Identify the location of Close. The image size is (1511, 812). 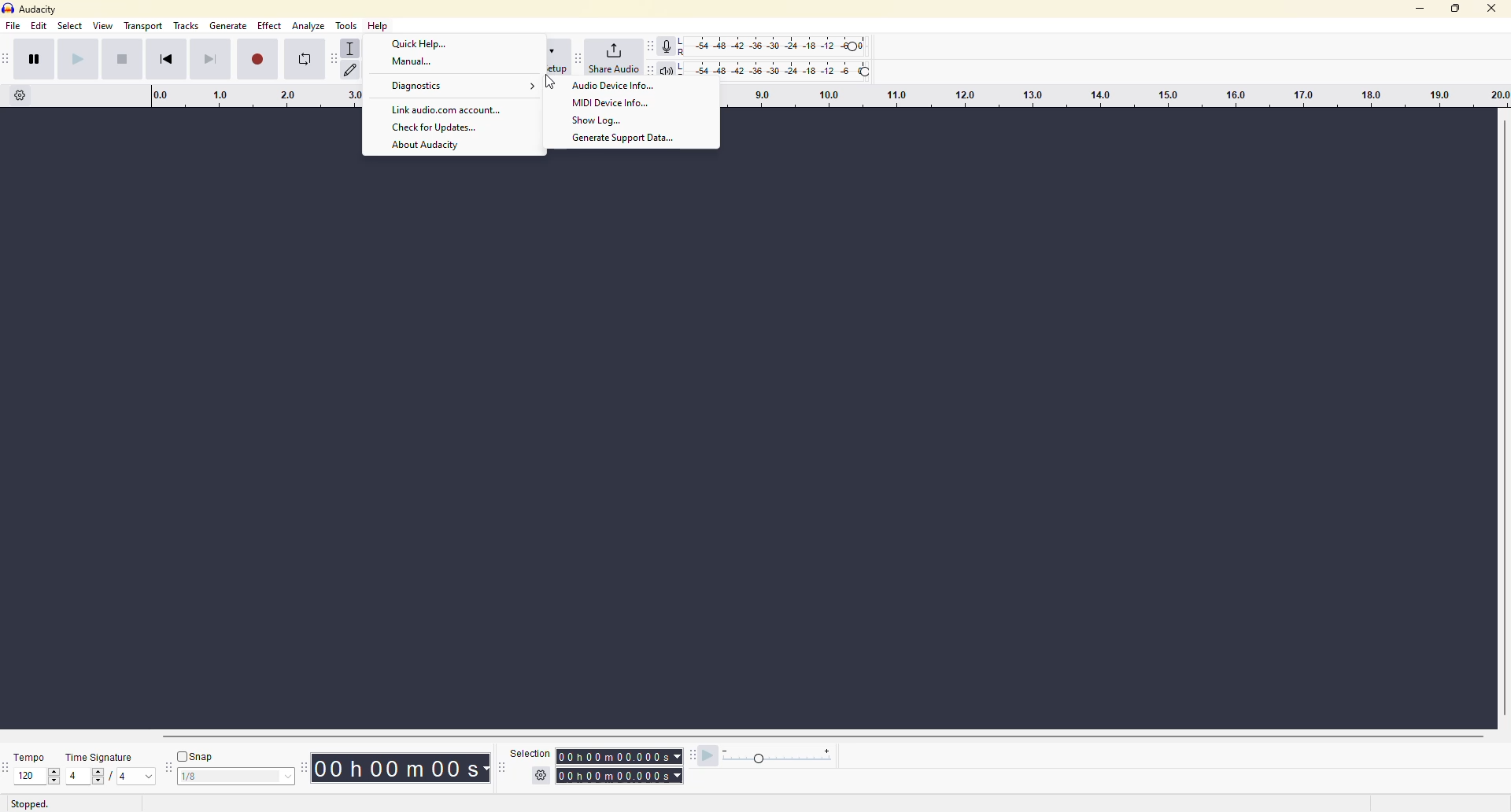
(1492, 11).